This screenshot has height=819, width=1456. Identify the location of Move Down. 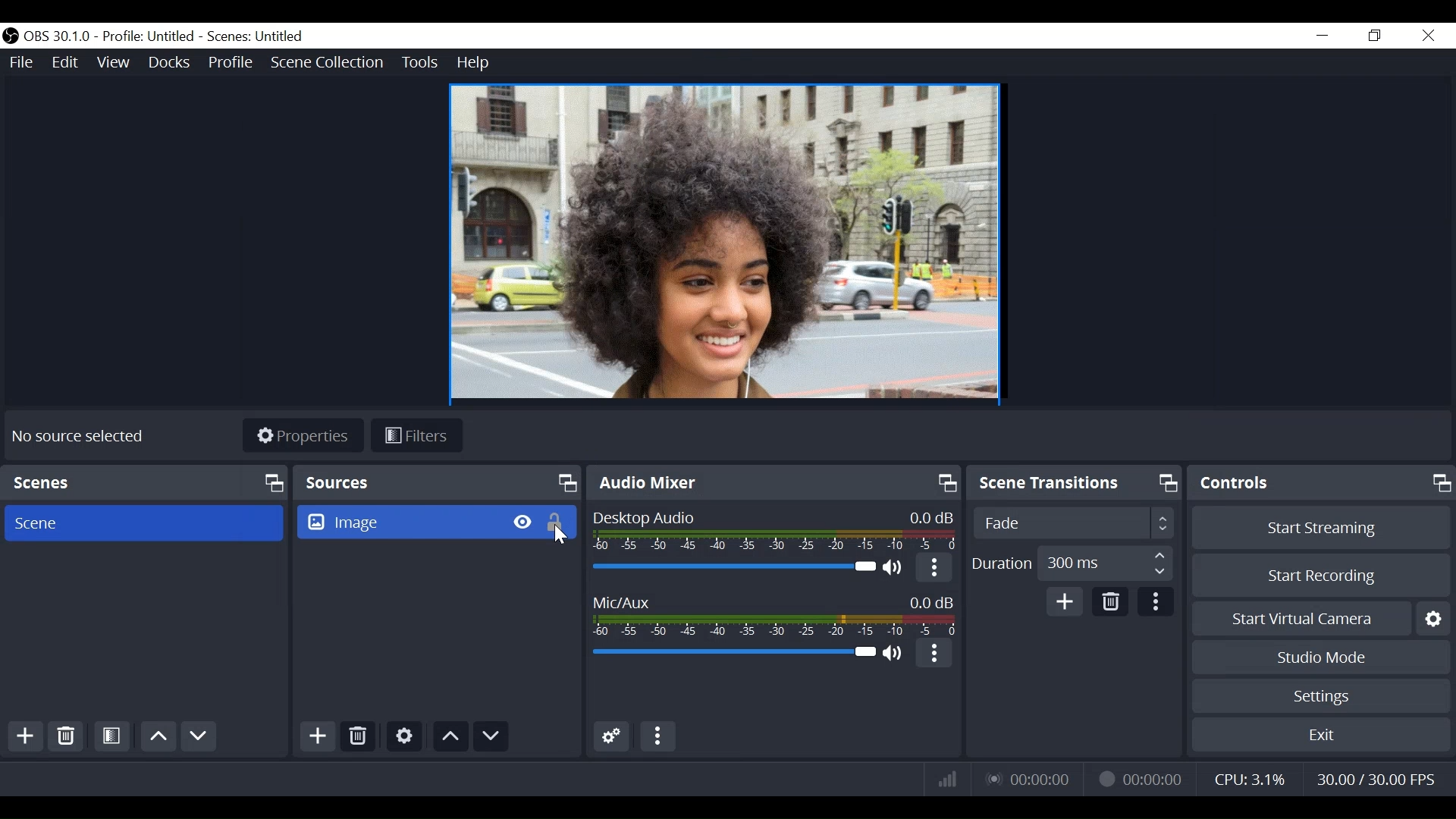
(491, 738).